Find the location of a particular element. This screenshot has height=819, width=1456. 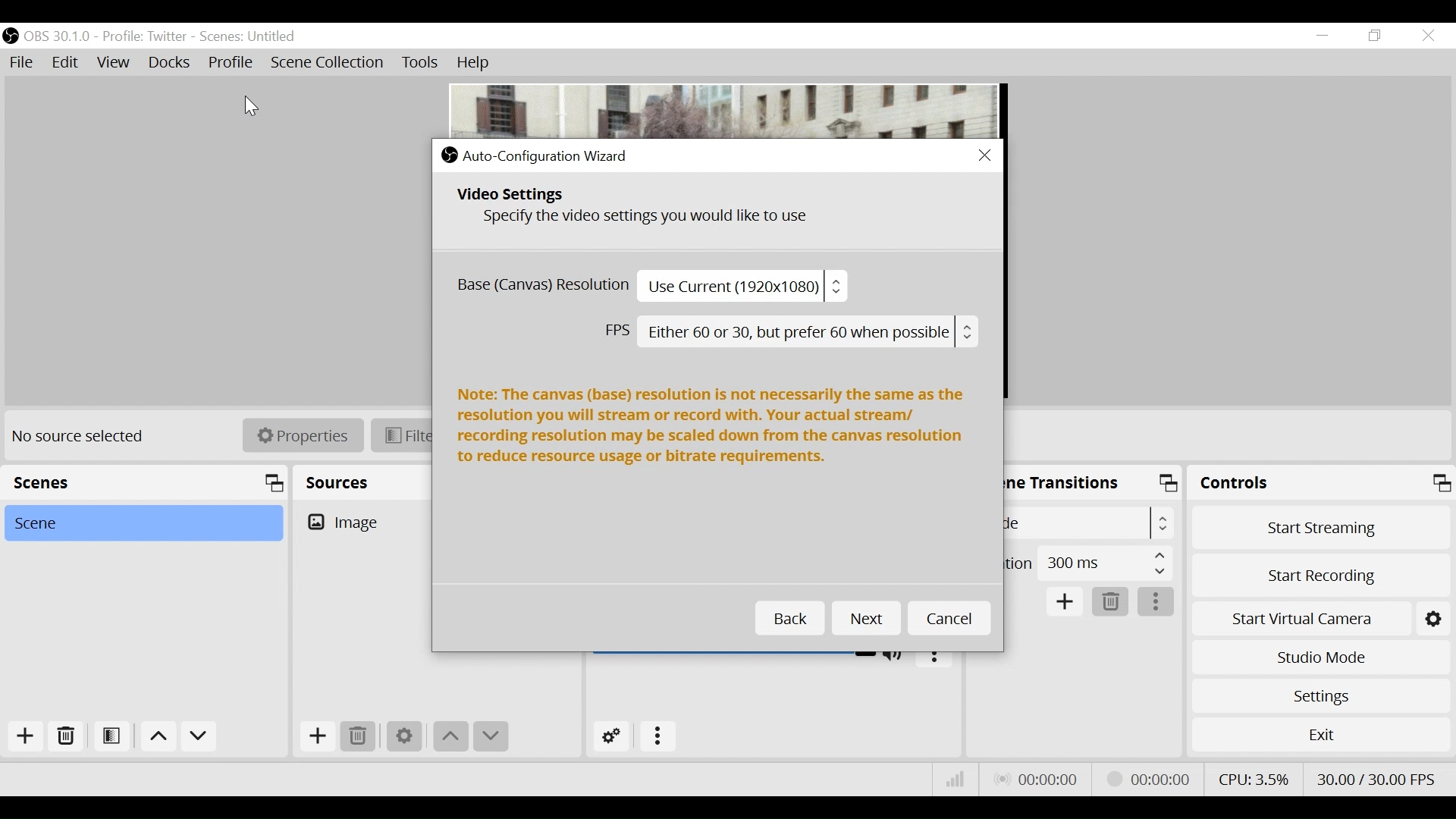

Open Scene Filter  is located at coordinates (108, 739).